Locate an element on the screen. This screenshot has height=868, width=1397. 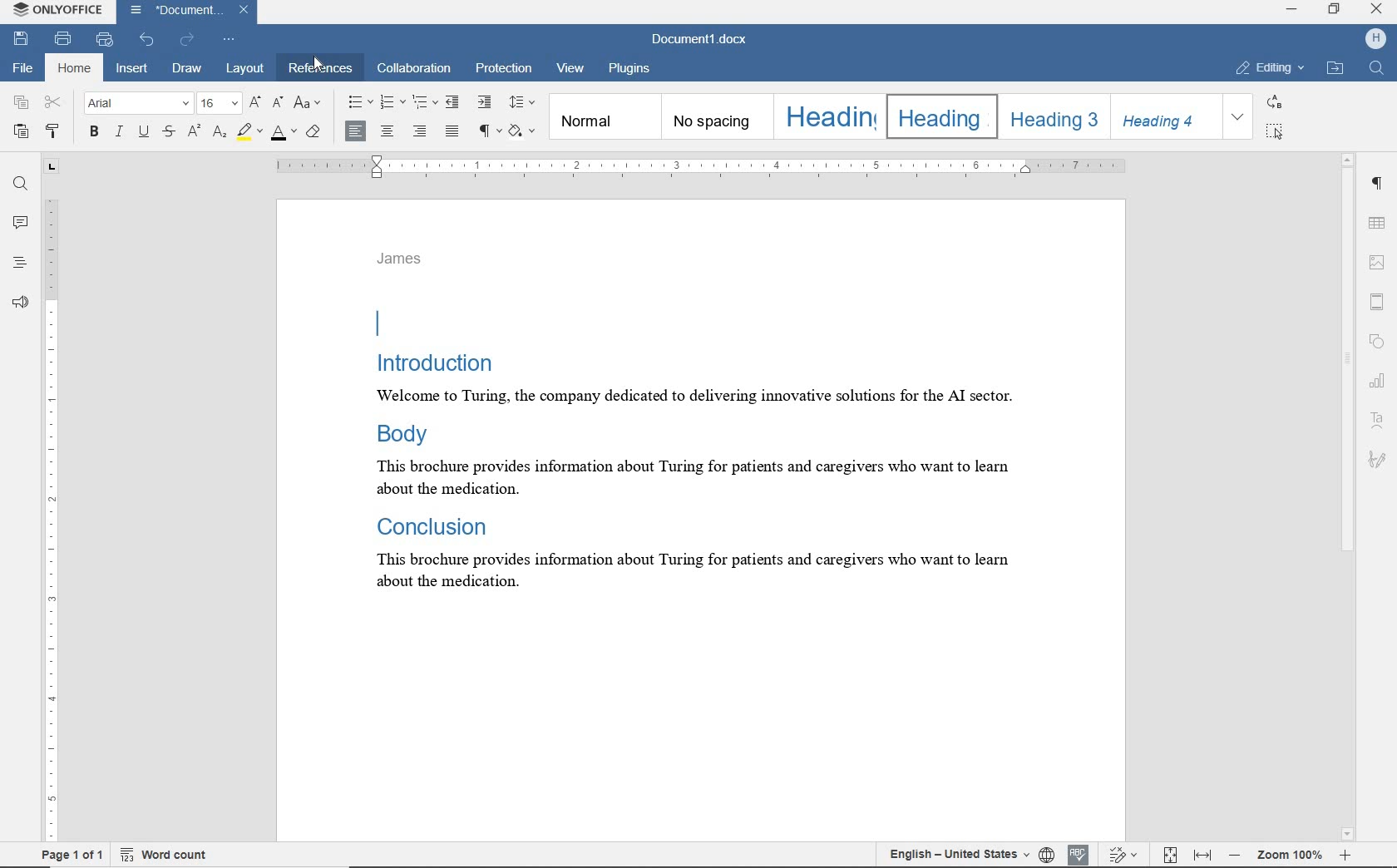
fit to page is located at coordinates (1168, 855).